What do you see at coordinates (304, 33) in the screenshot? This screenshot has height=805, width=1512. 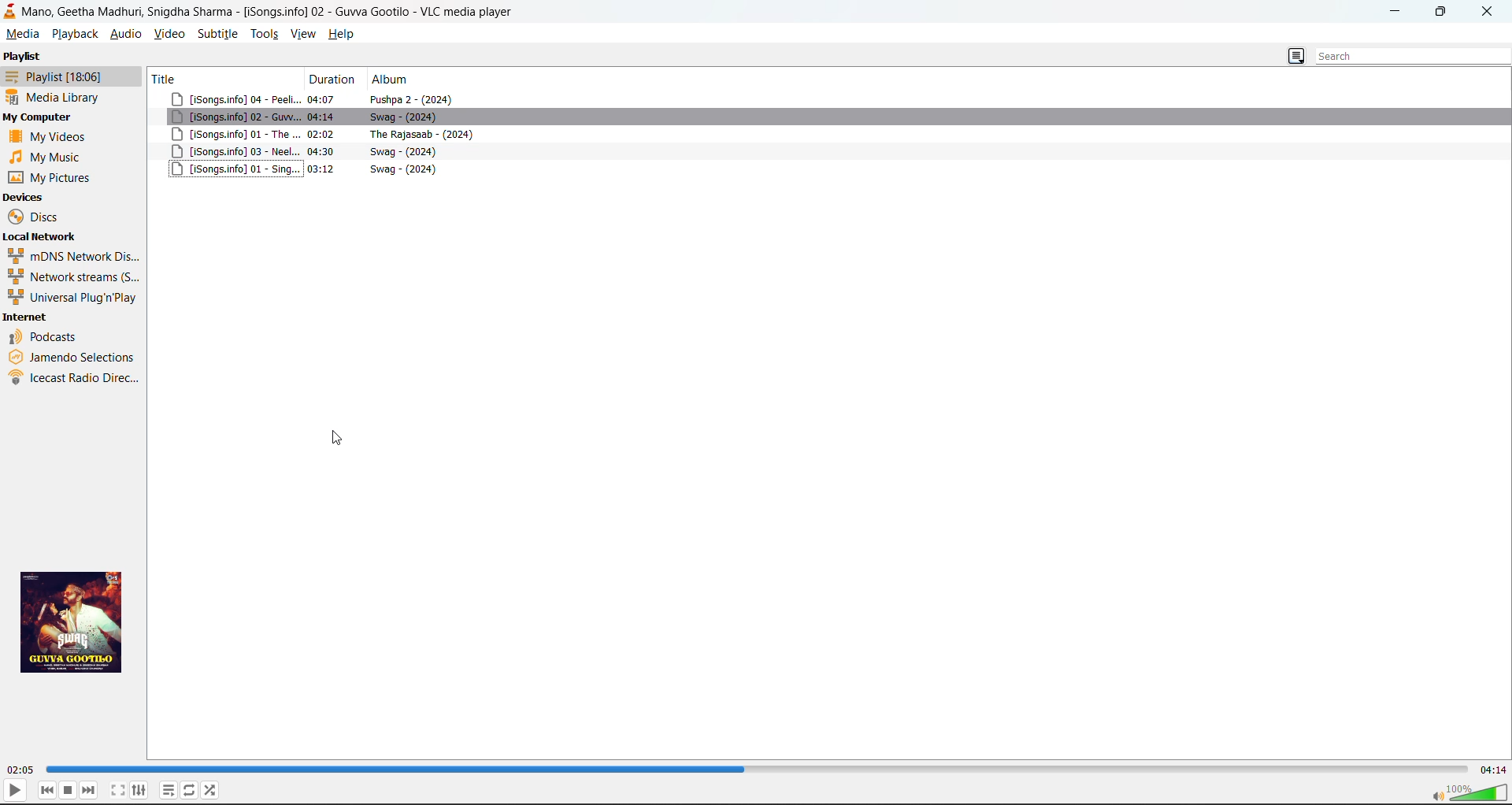 I see `view` at bounding box center [304, 33].